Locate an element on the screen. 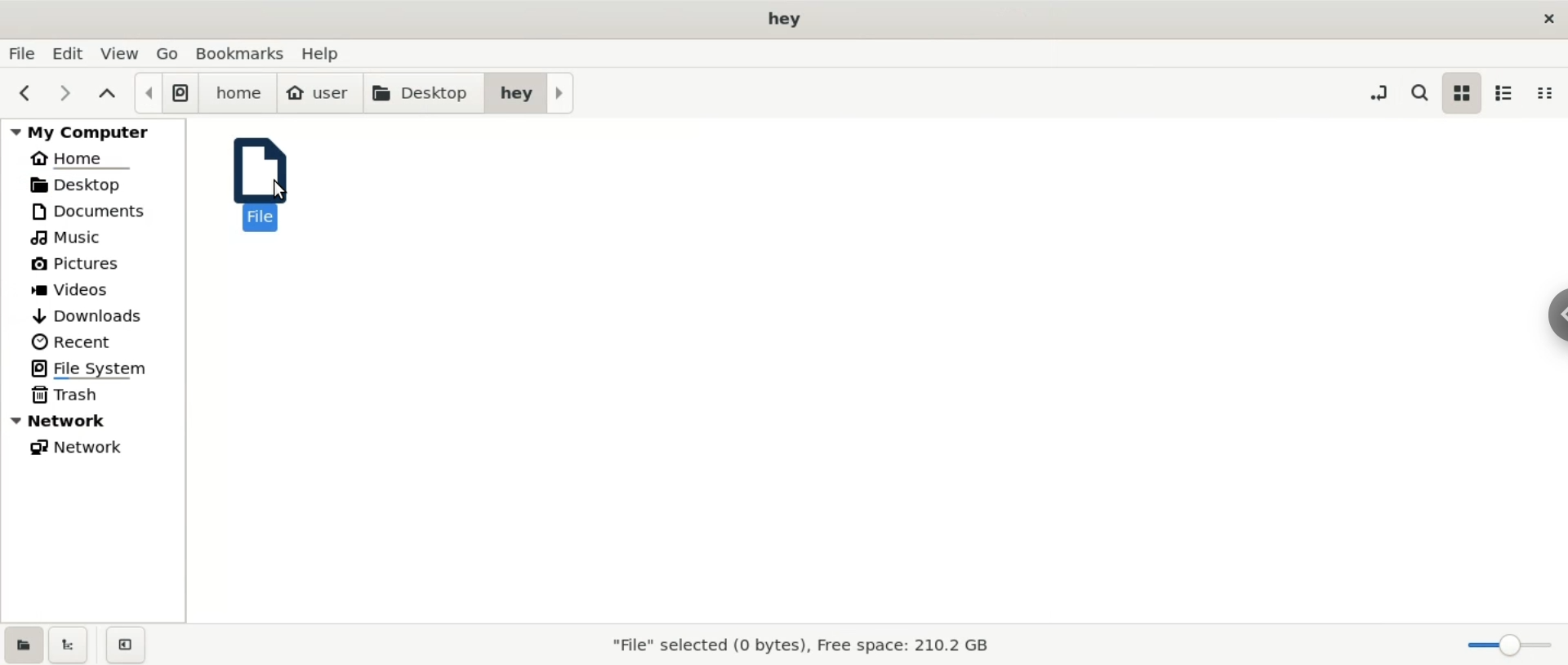 This screenshot has width=1568, height=665. show treeview is located at coordinates (69, 645).